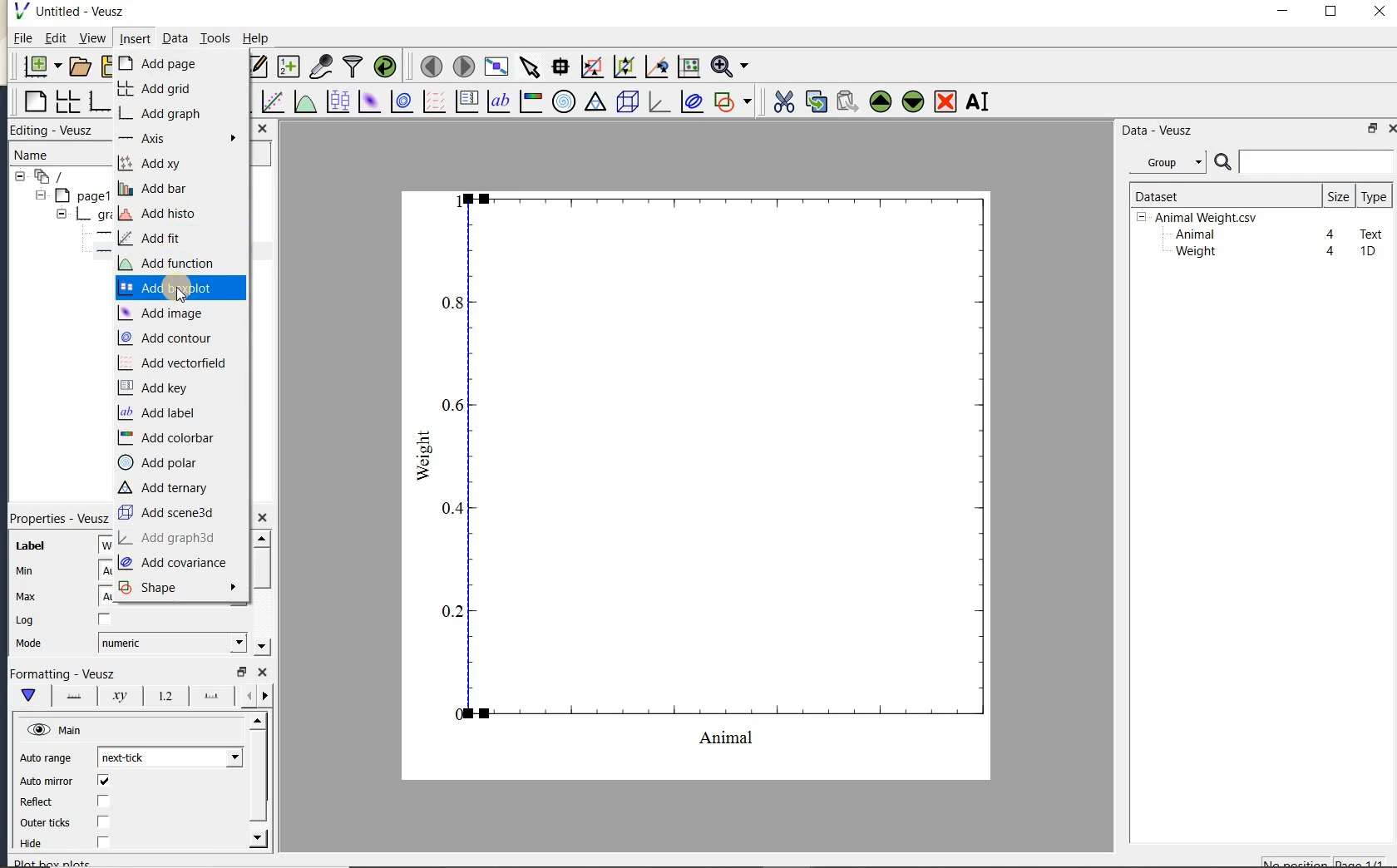 The image size is (1397, 868). What do you see at coordinates (1367, 251) in the screenshot?
I see `1D` at bounding box center [1367, 251].